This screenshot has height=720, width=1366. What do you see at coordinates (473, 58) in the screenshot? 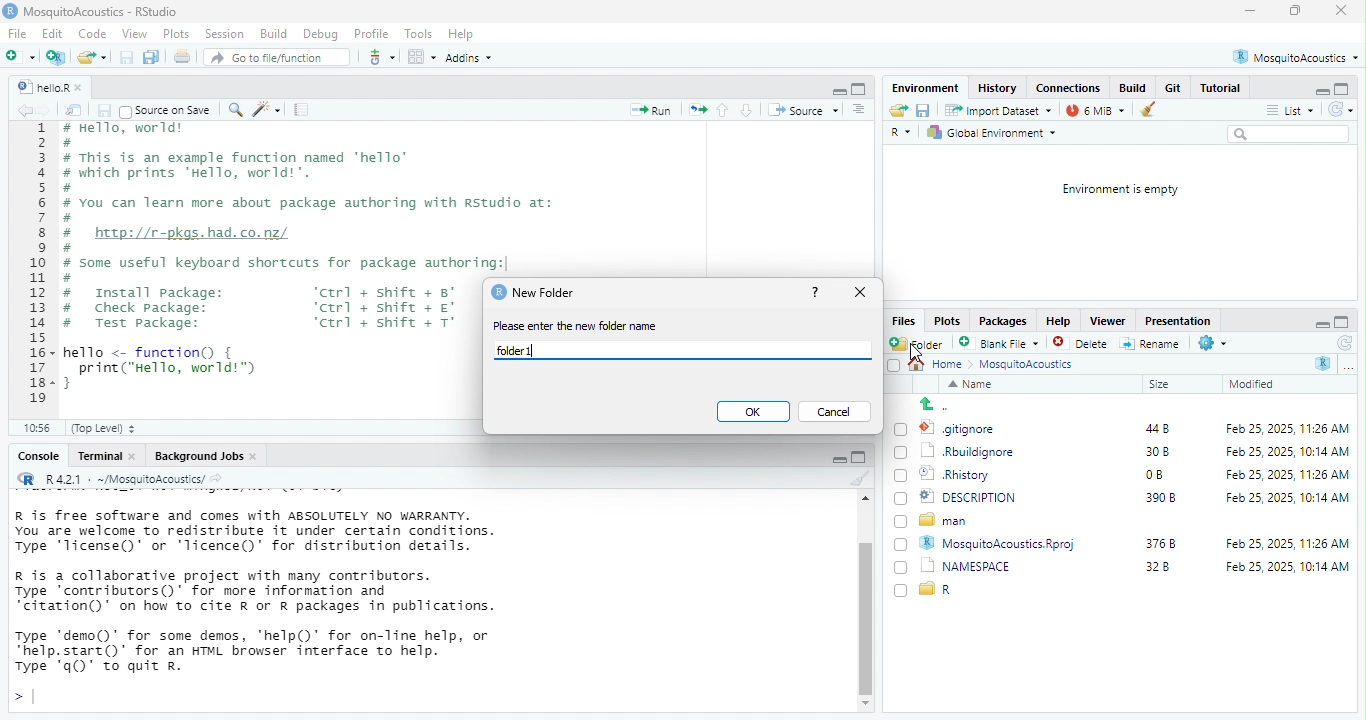
I see `Addins ~` at bounding box center [473, 58].